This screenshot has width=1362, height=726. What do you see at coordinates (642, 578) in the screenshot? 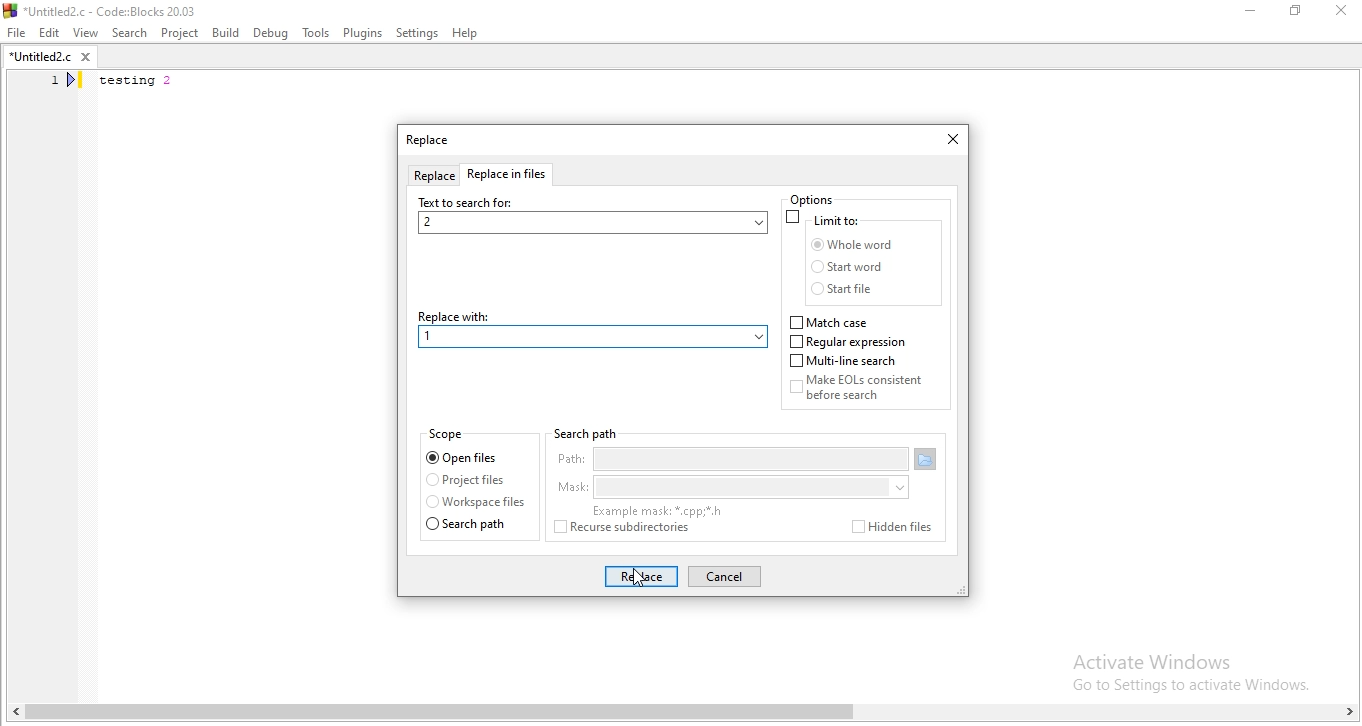
I see `cursor` at bounding box center [642, 578].